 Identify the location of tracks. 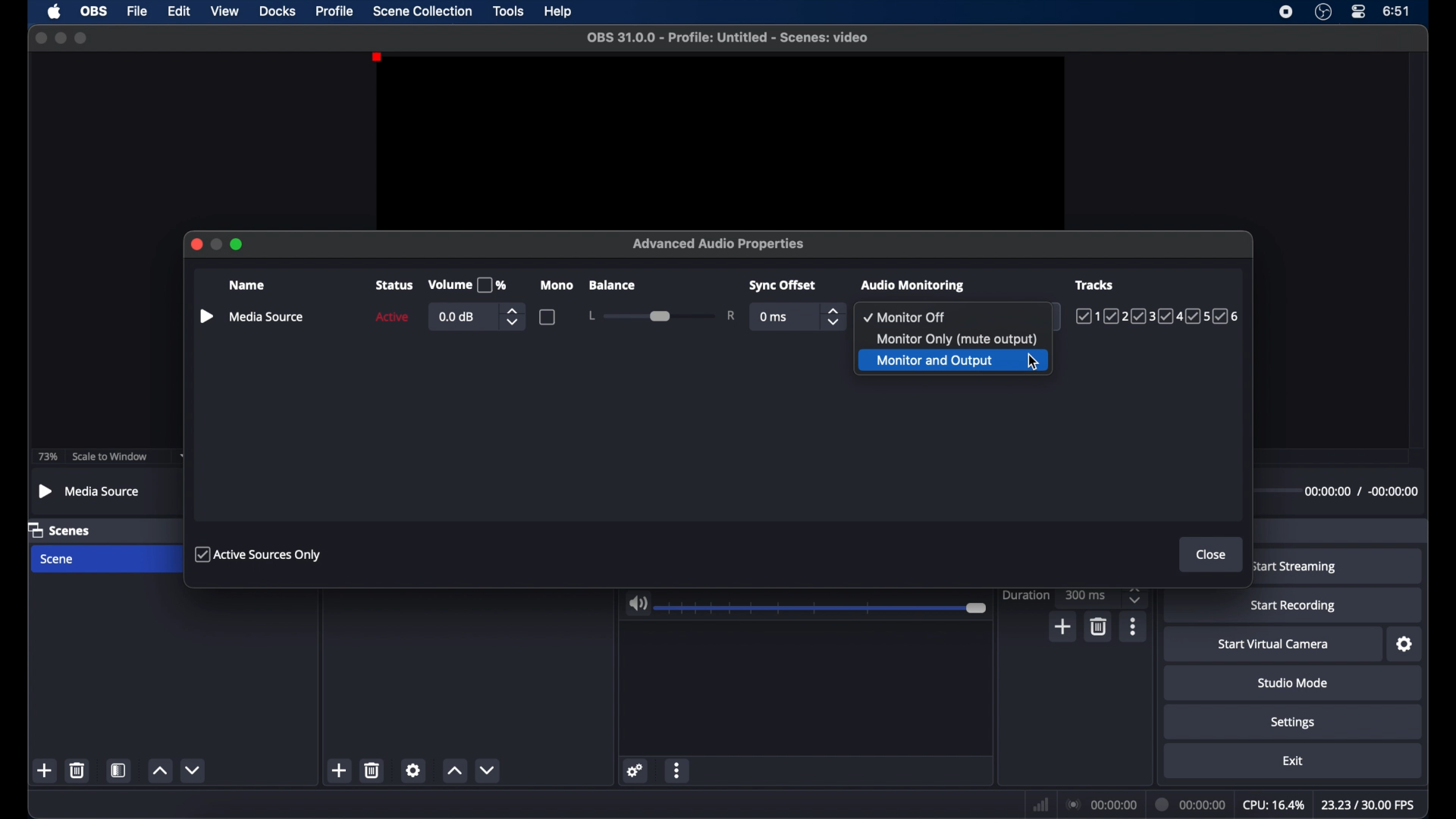
(1095, 285).